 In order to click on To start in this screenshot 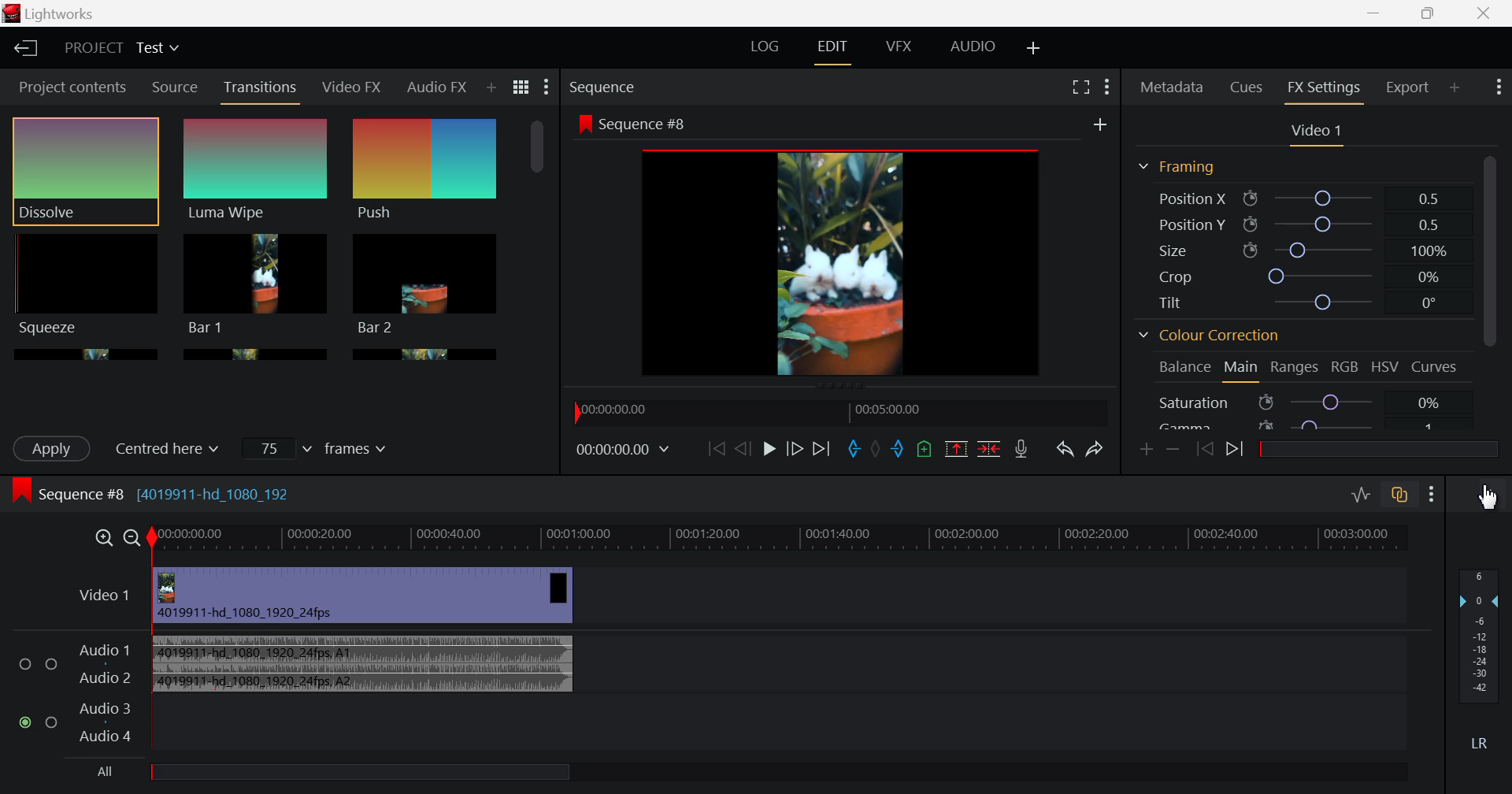, I will do `click(715, 449)`.